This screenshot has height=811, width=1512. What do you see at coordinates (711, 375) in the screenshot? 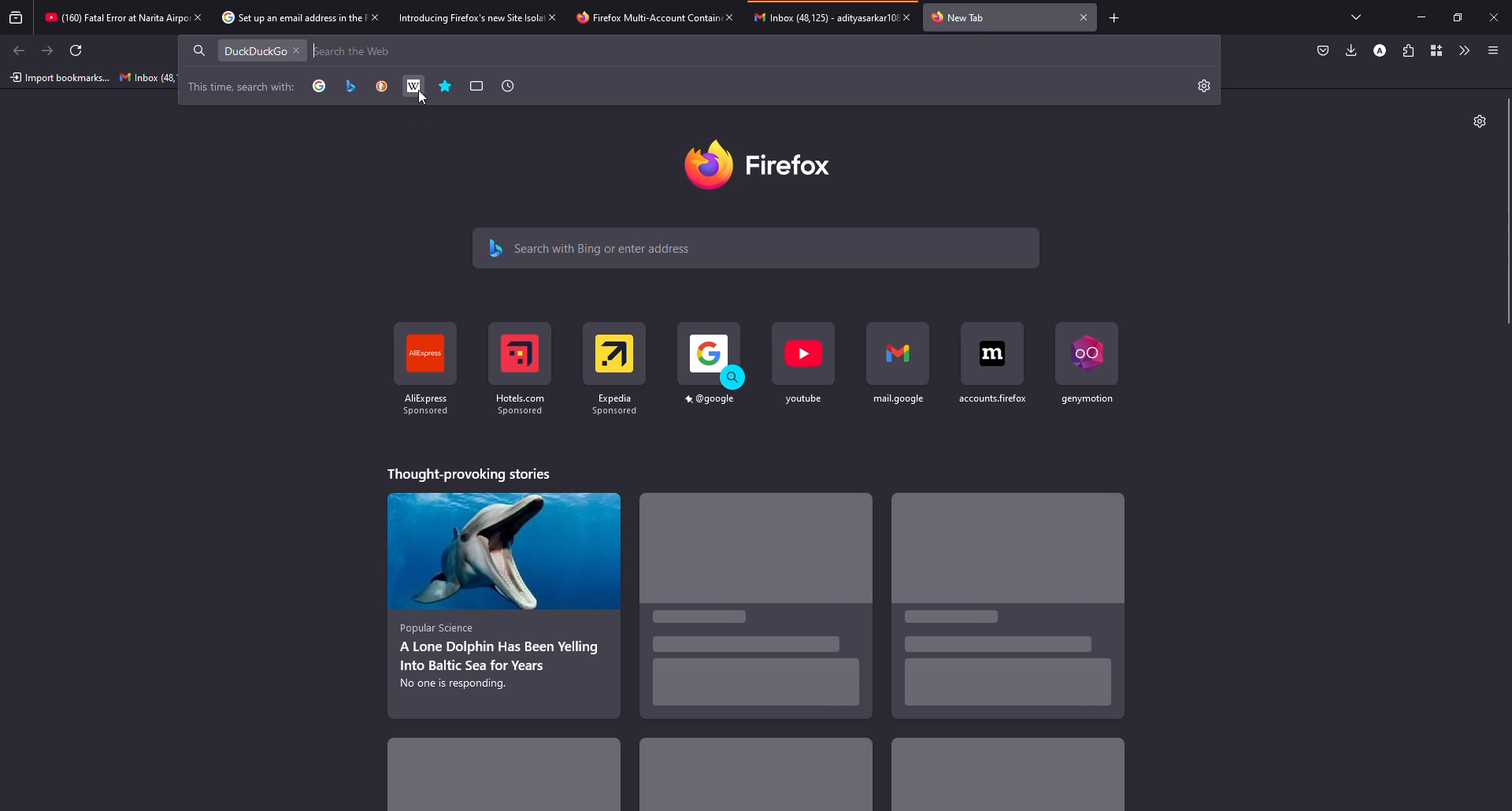
I see `shortcut` at bounding box center [711, 375].